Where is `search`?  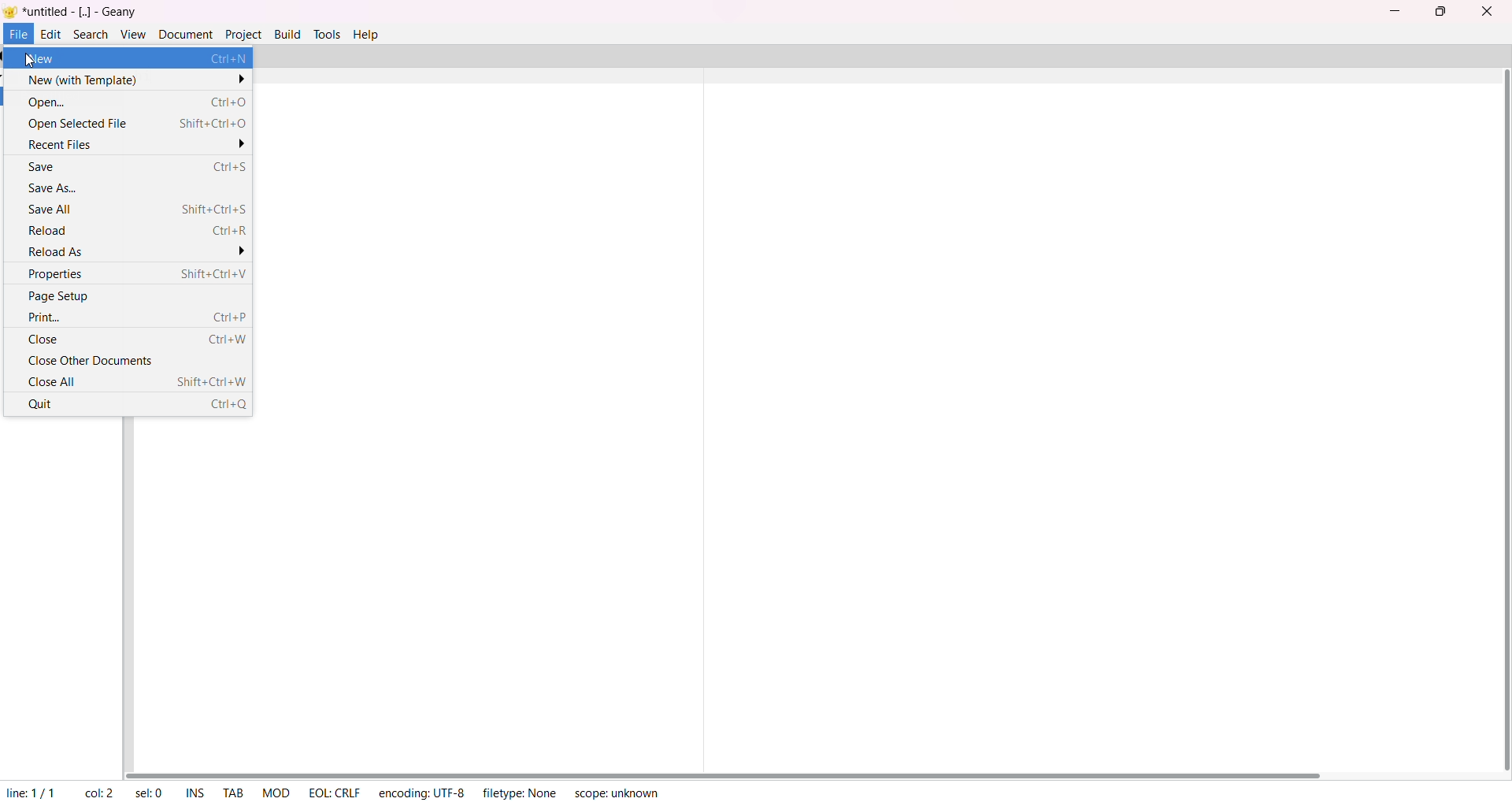 search is located at coordinates (89, 33).